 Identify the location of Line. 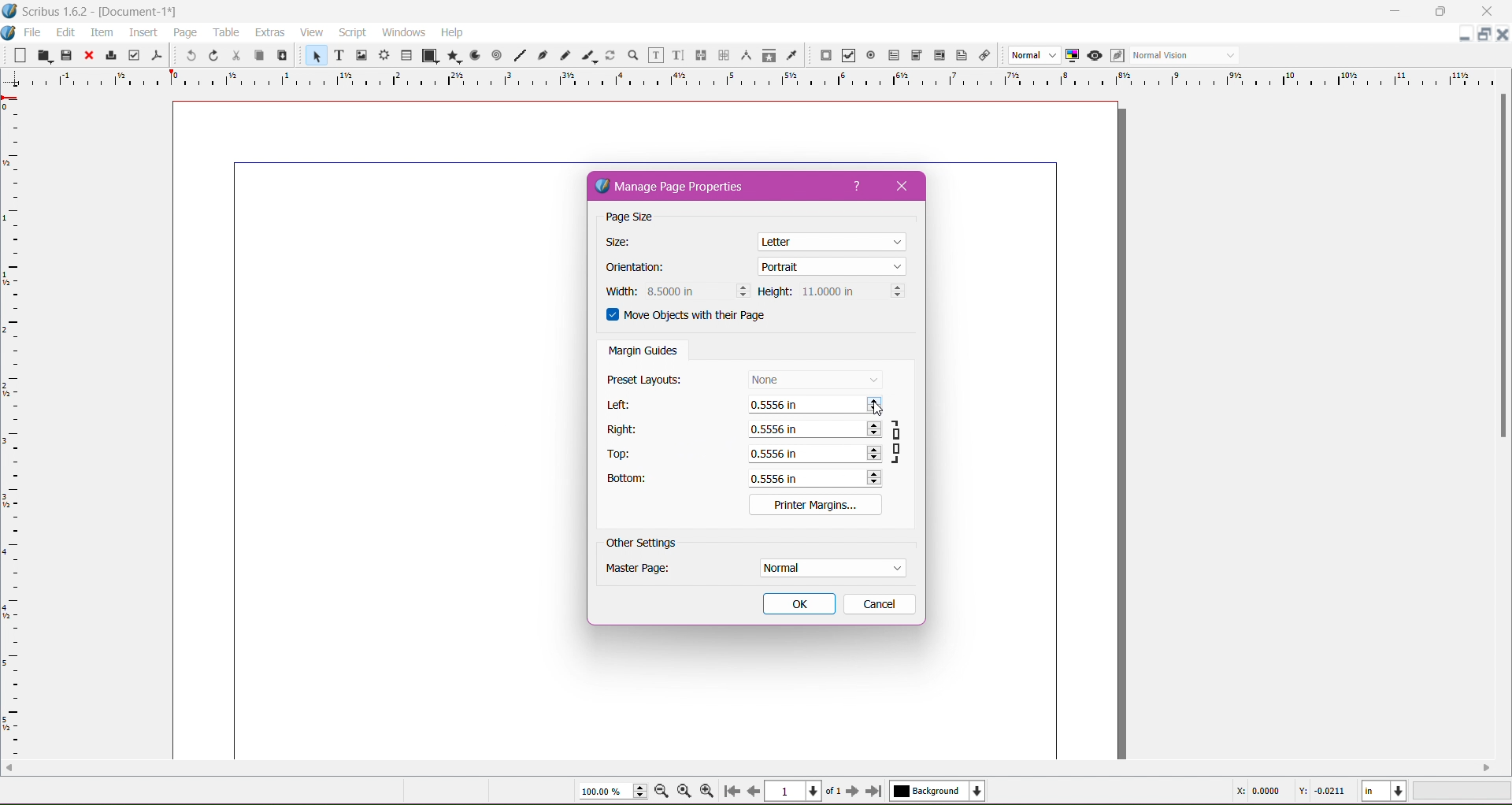
(520, 54).